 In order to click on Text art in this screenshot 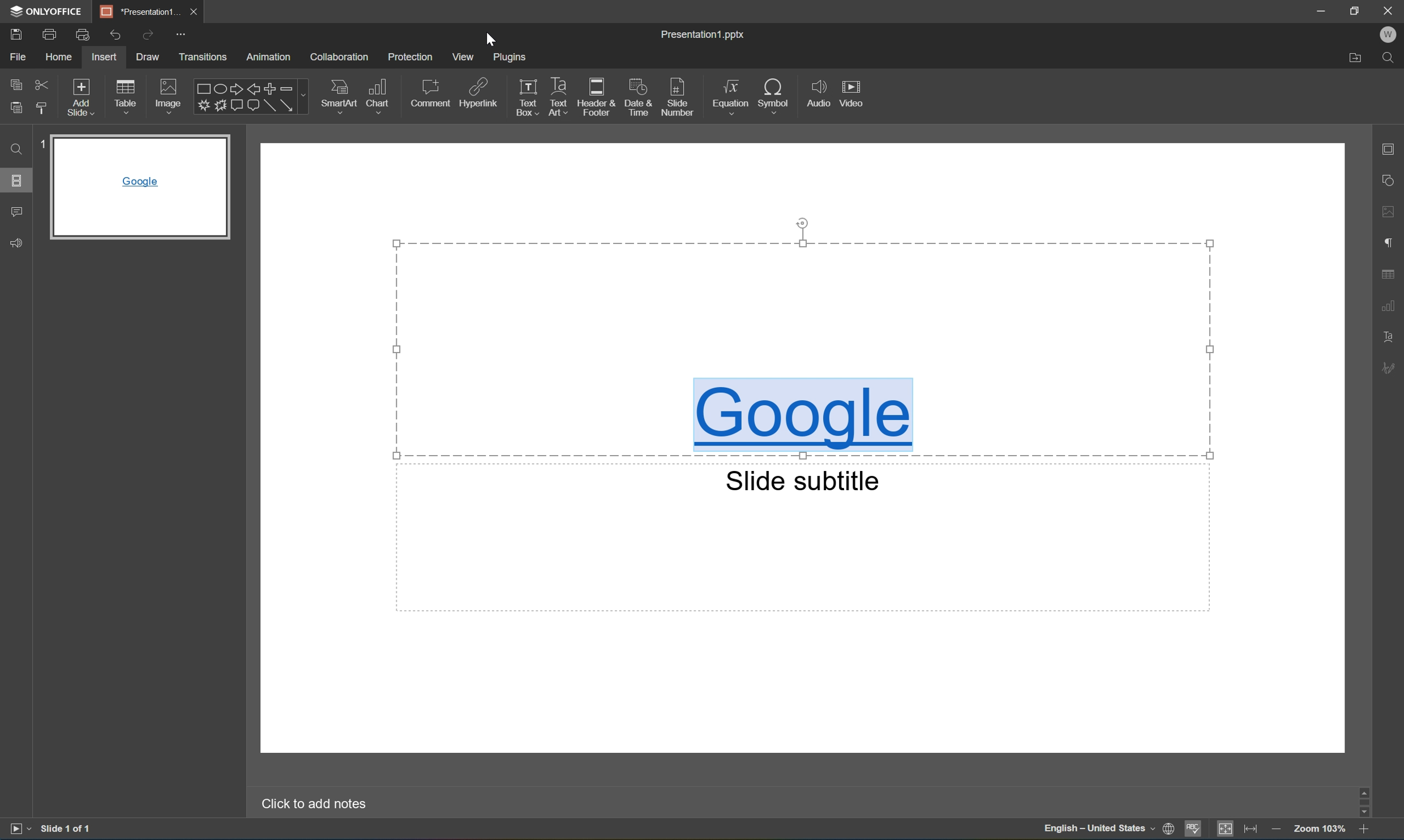, I will do `click(559, 94)`.